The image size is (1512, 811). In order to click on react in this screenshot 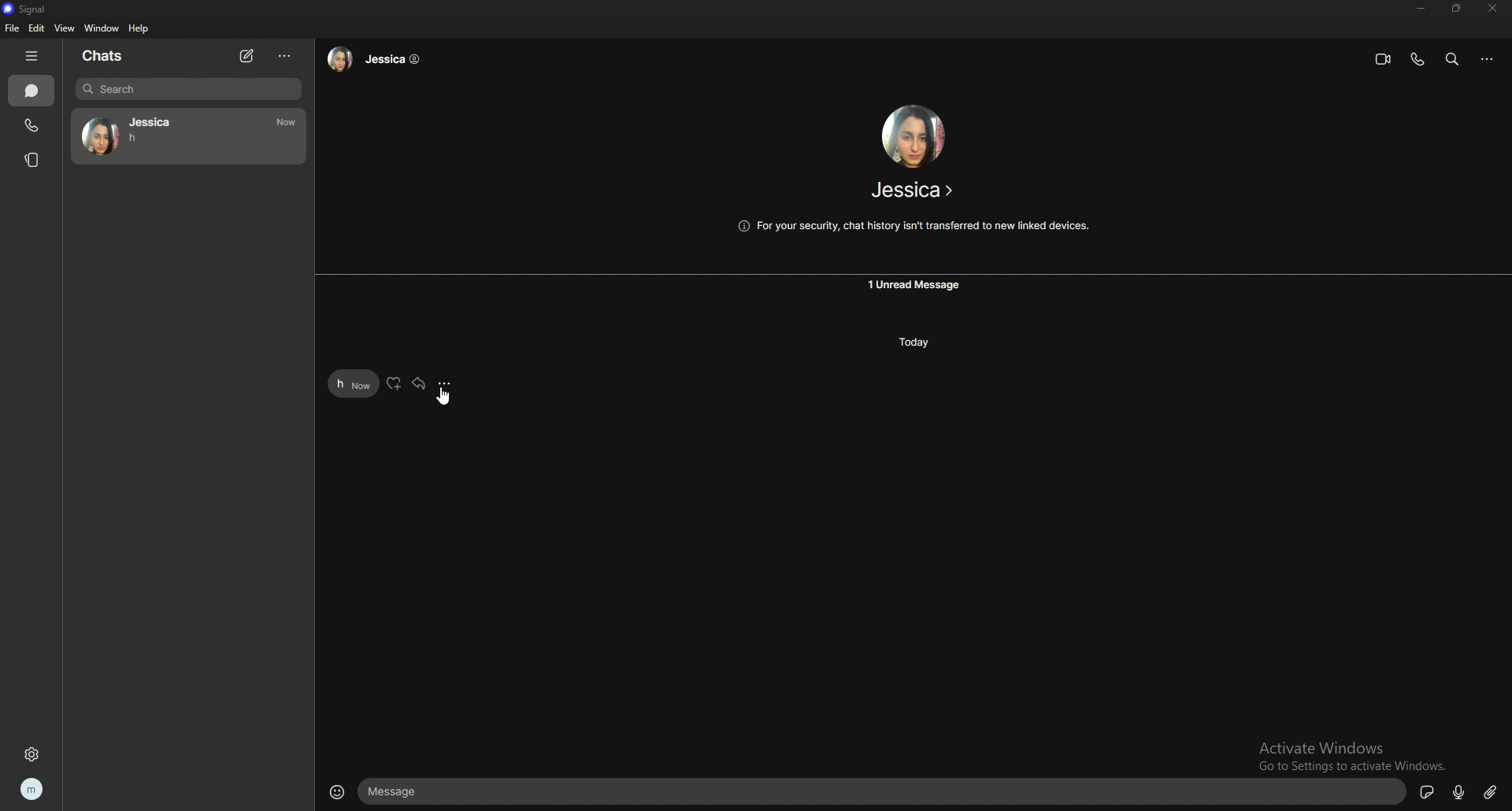, I will do `click(395, 384)`.